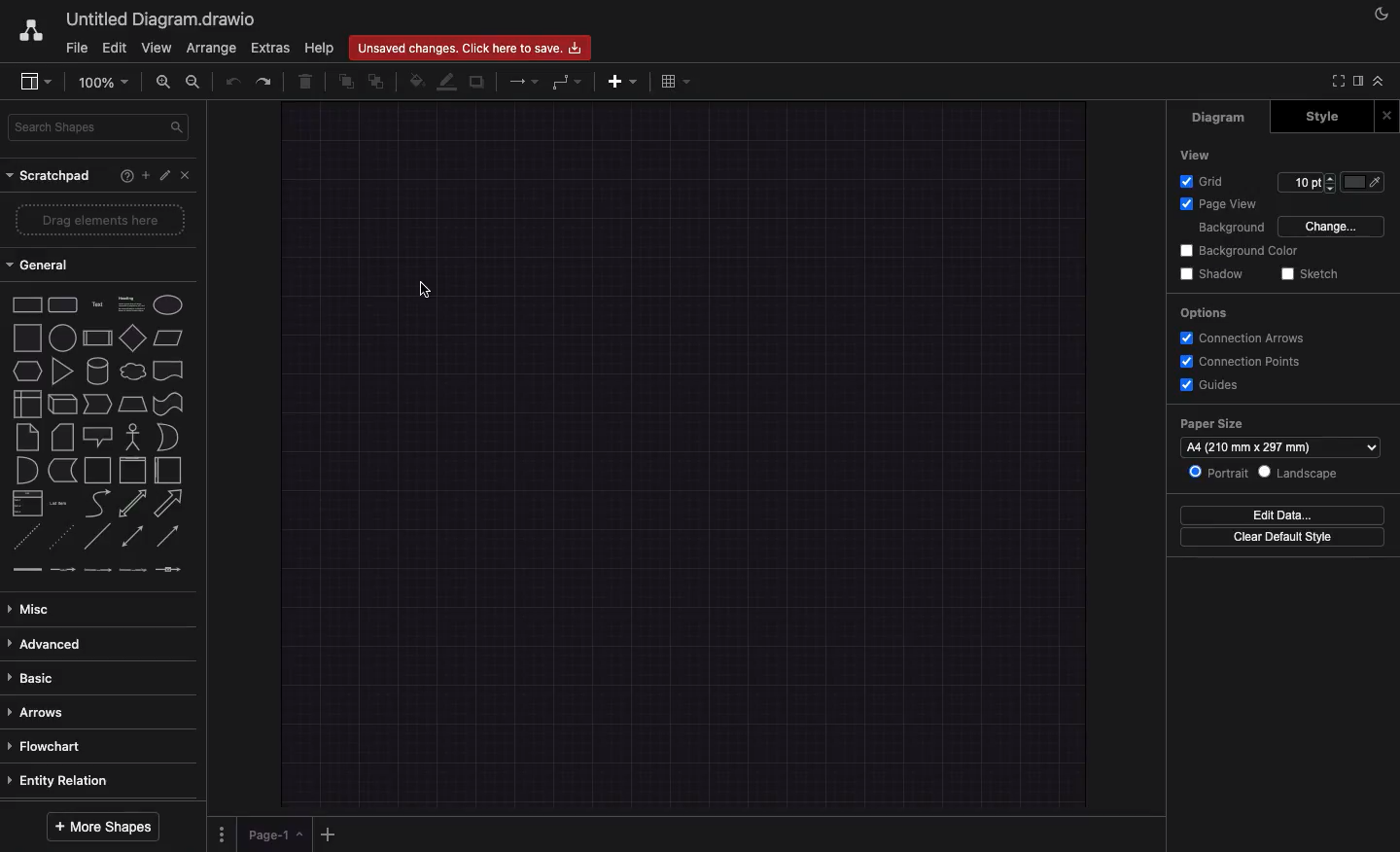 Image resolution: width=1400 pixels, height=852 pixels. Describe the element at coordinates (63, 538) in the screenshot. I see `dotted line` at that location.